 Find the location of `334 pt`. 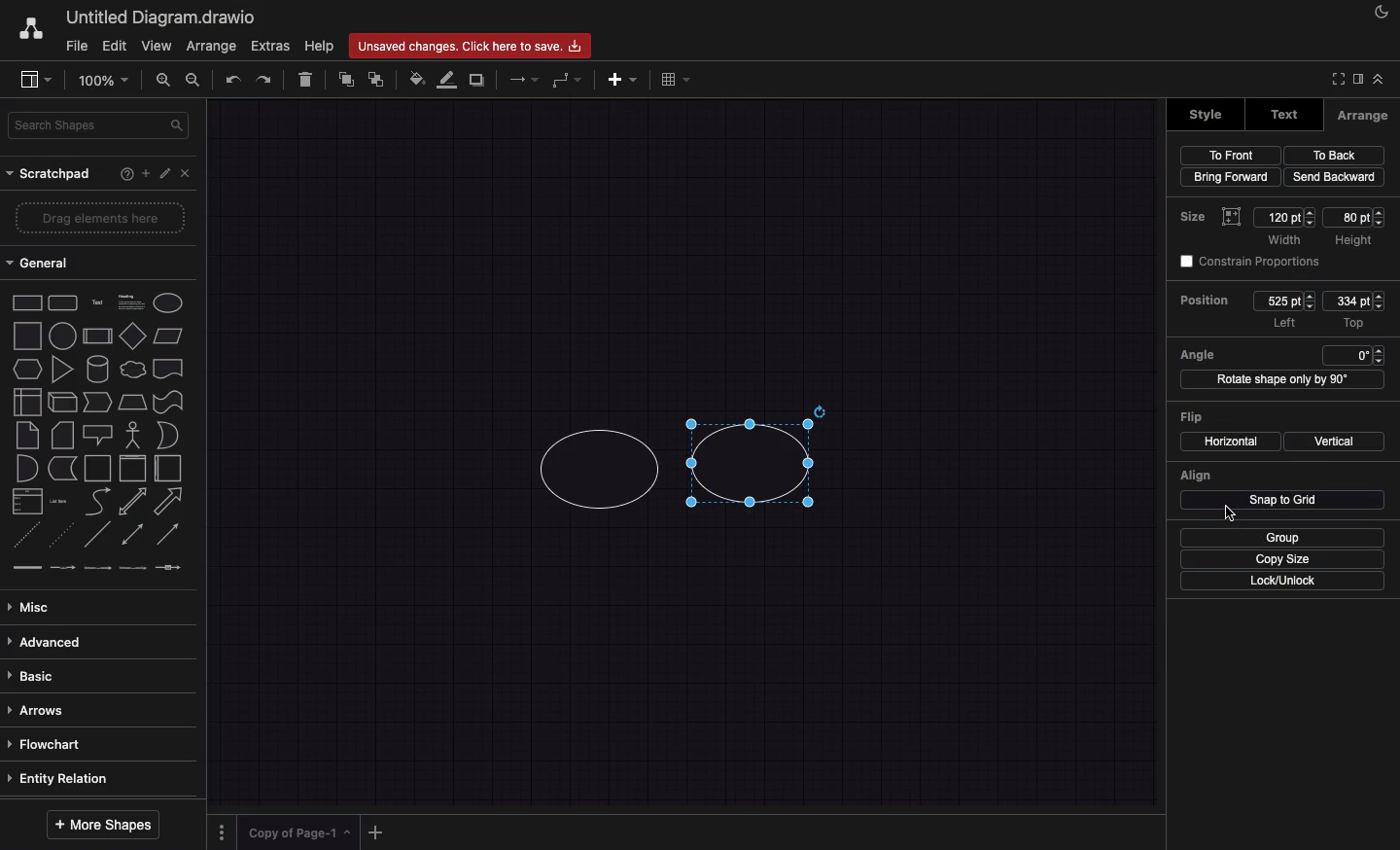

334 pt is located at coordinates (1353, 301).